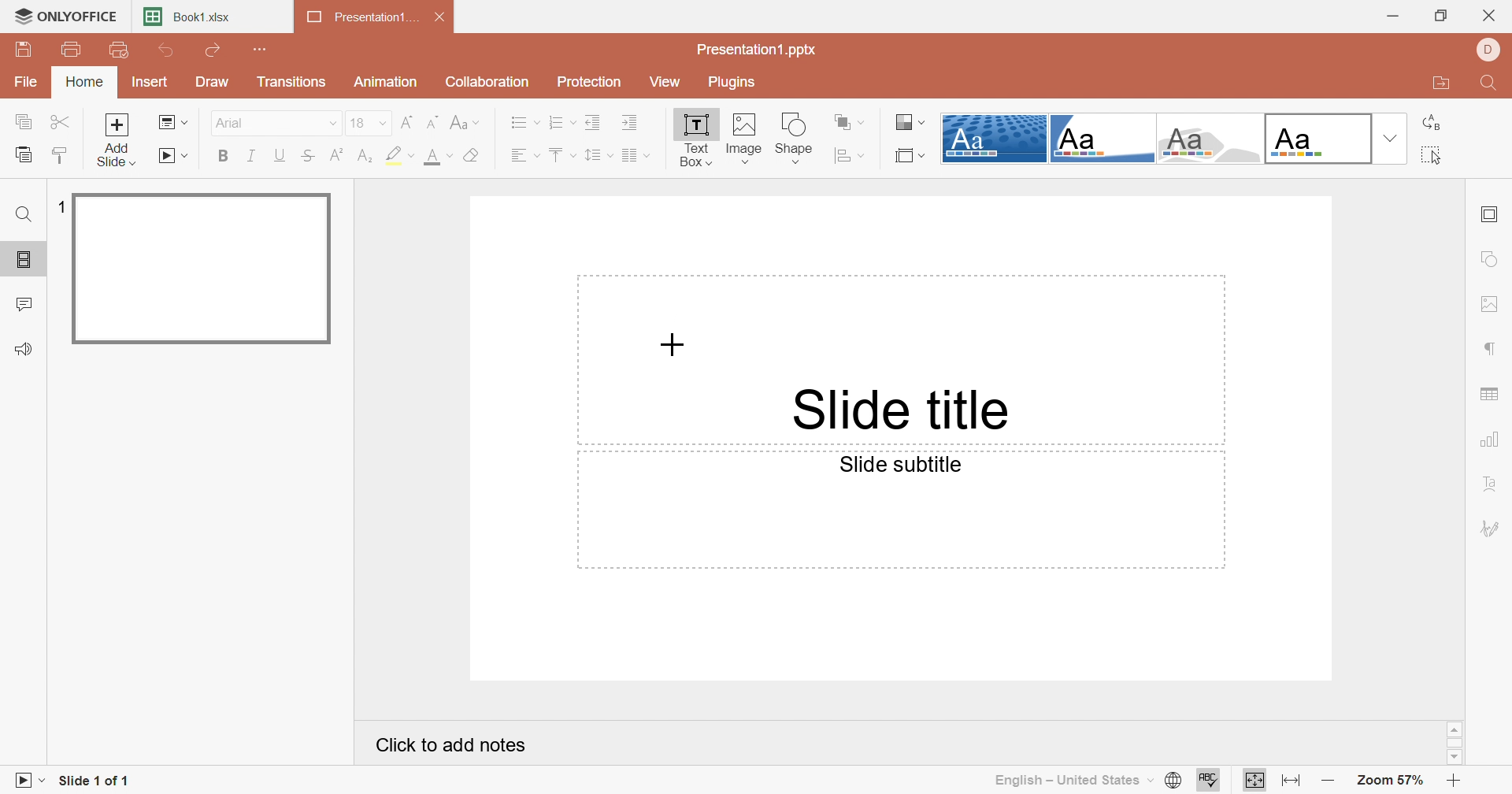 This screenshot has width=1512, height=794. What do you see at coordinates (223, 157) in the screenshot?
I see `Bold` at bounding box center [223, 157].